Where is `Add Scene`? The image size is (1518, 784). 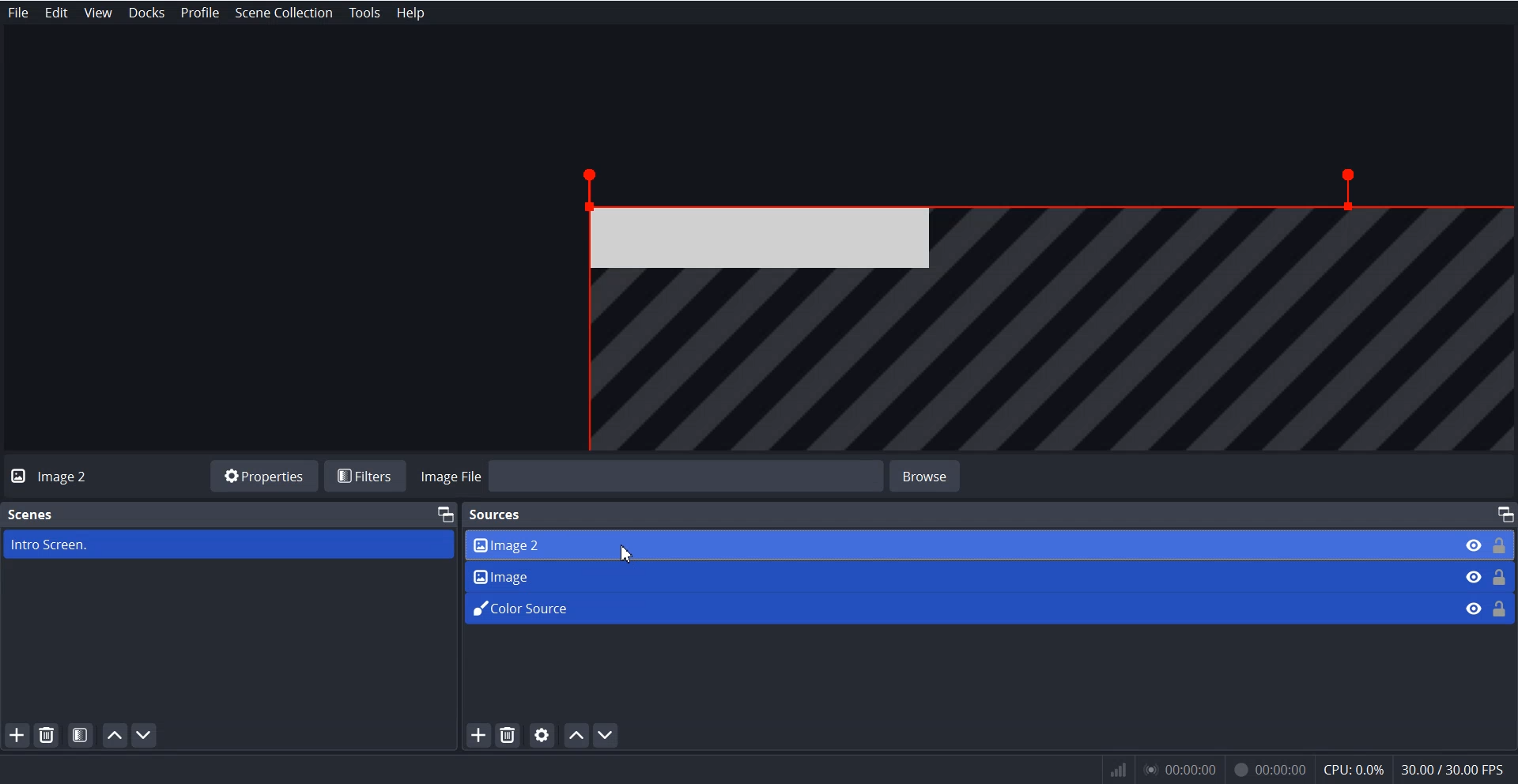
Add Scene is located at coordinates (17, 735).